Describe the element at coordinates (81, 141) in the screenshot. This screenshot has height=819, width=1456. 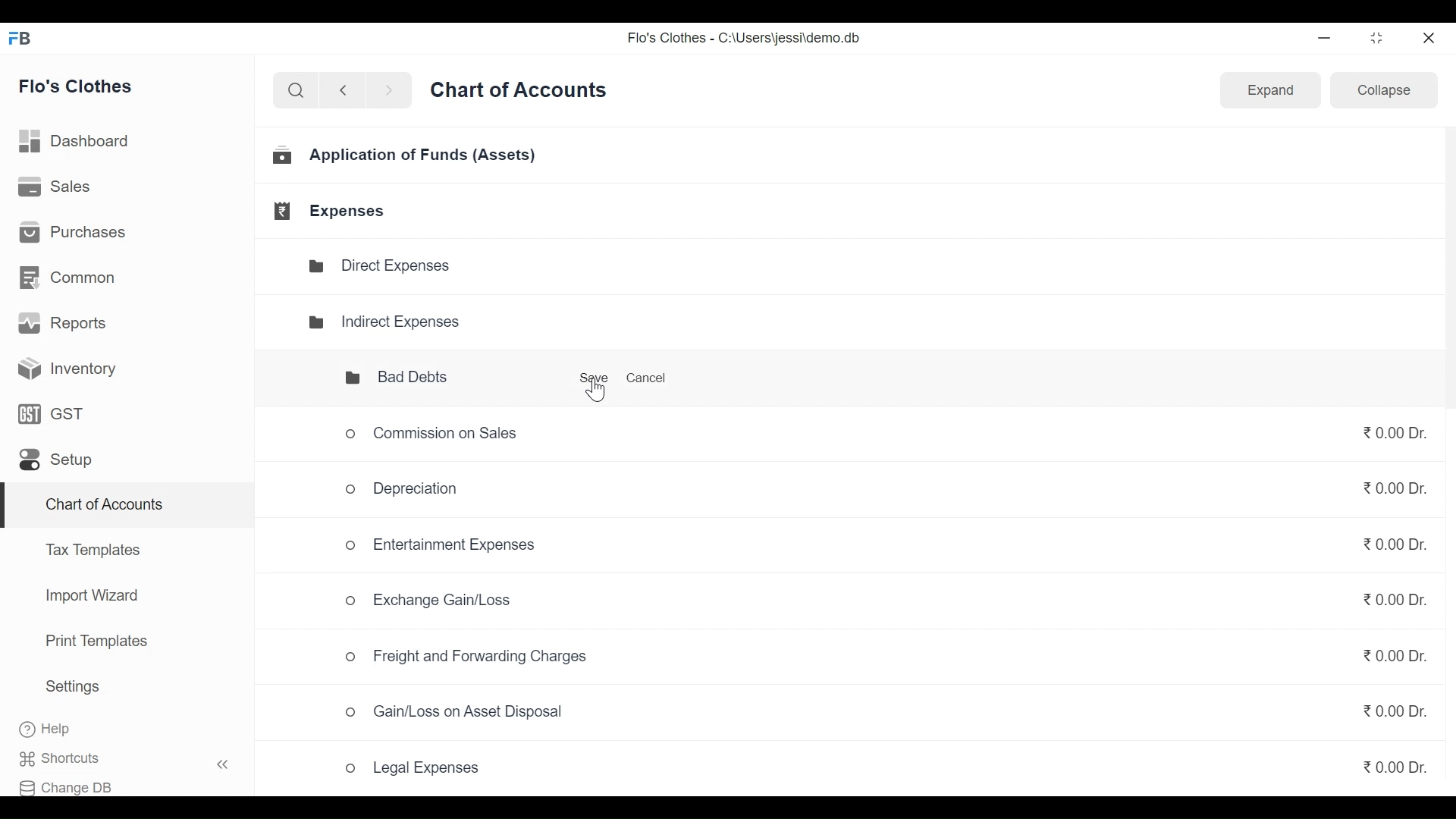
I see `Dashboard` at that location.